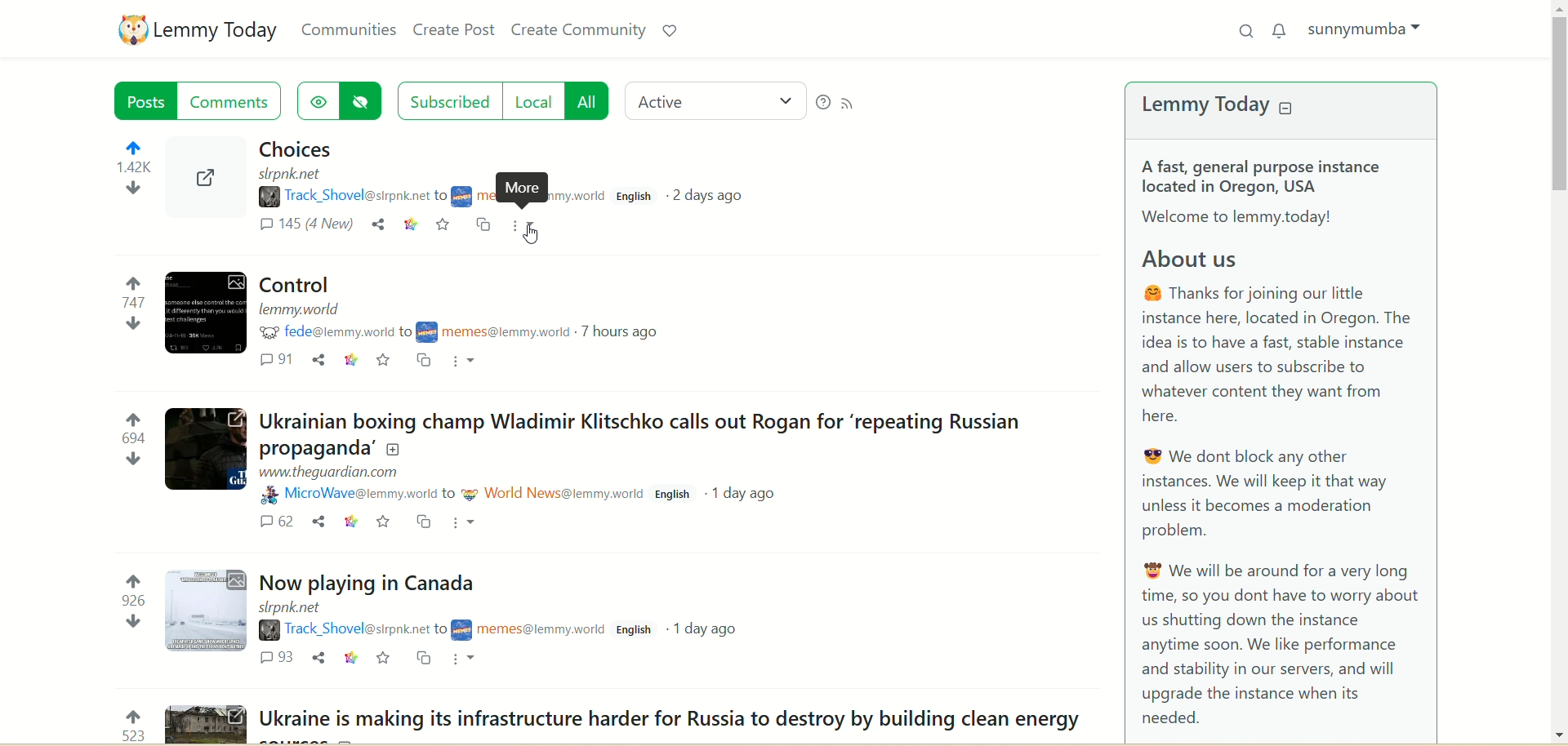 The height and width of the screenshot is (746, 1568). Describe the element at coordinates (278, 362) in the screenshot. I see `comments` at that location.